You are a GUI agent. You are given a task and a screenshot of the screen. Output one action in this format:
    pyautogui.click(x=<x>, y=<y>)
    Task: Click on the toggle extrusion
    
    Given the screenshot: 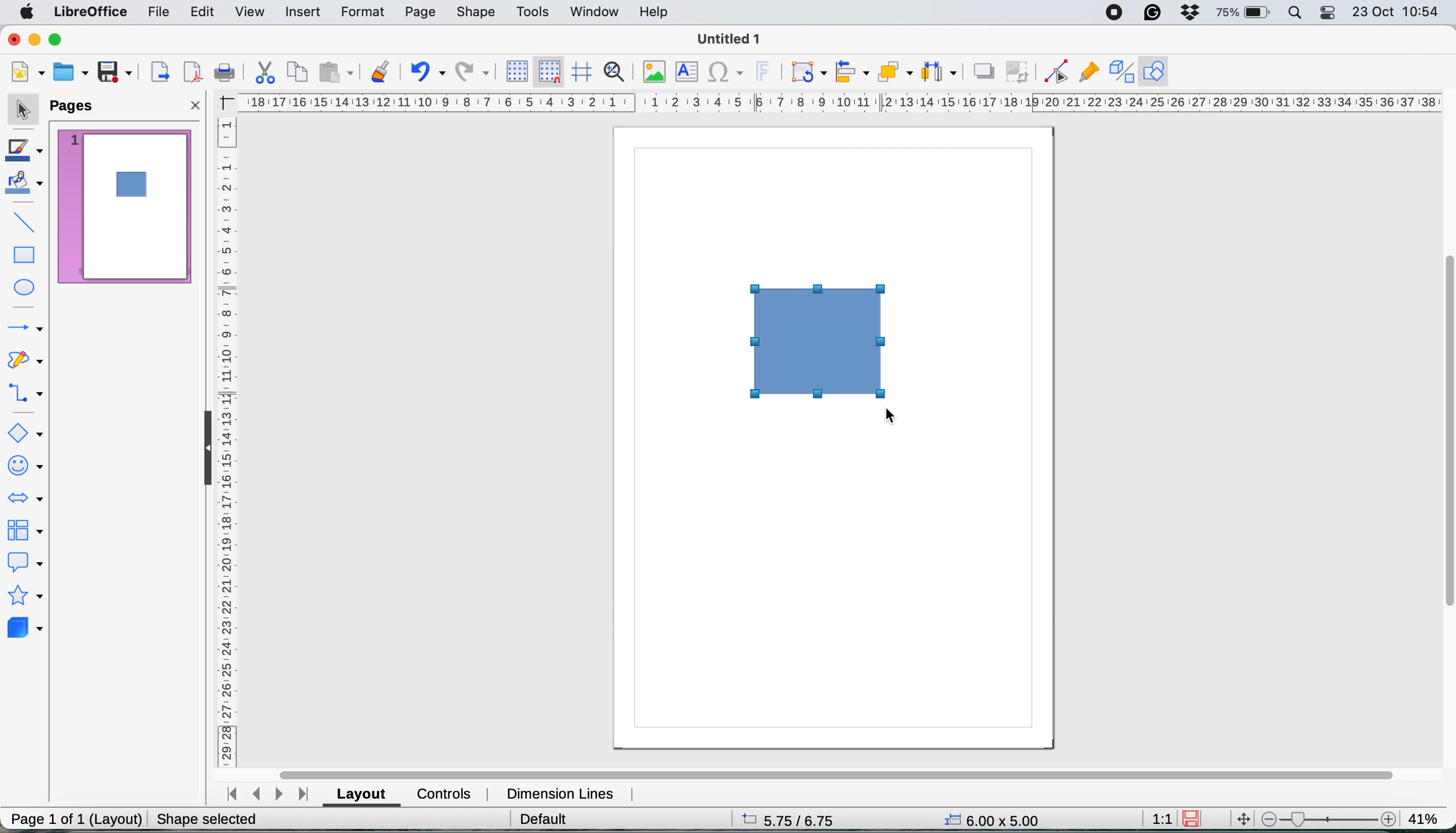 What is the action you would take?
    pyautogui.click(x=1119, y=73)
    